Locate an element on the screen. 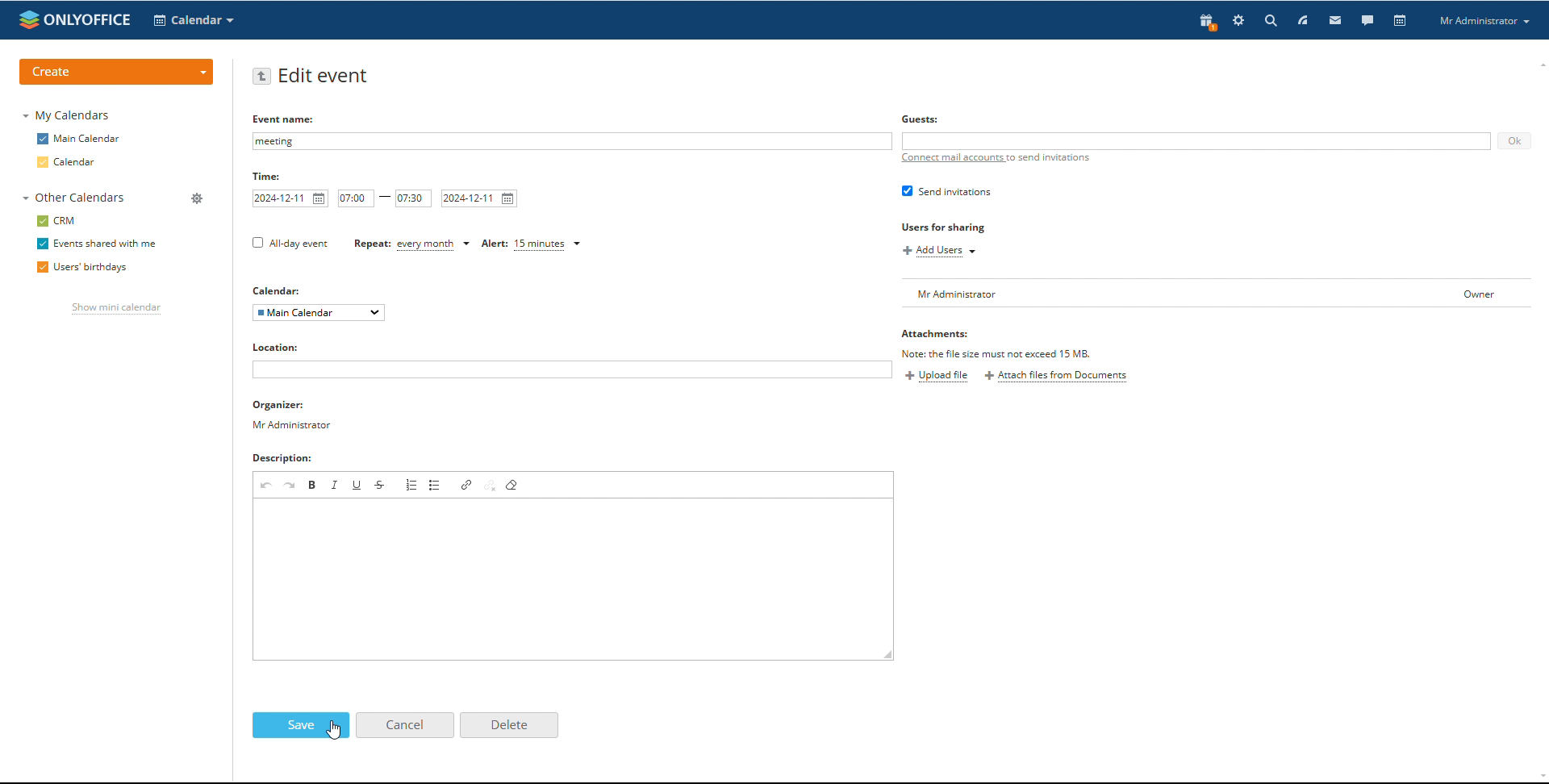 The image size is (1549, 784). organizer is located at coordinates (293, 407).